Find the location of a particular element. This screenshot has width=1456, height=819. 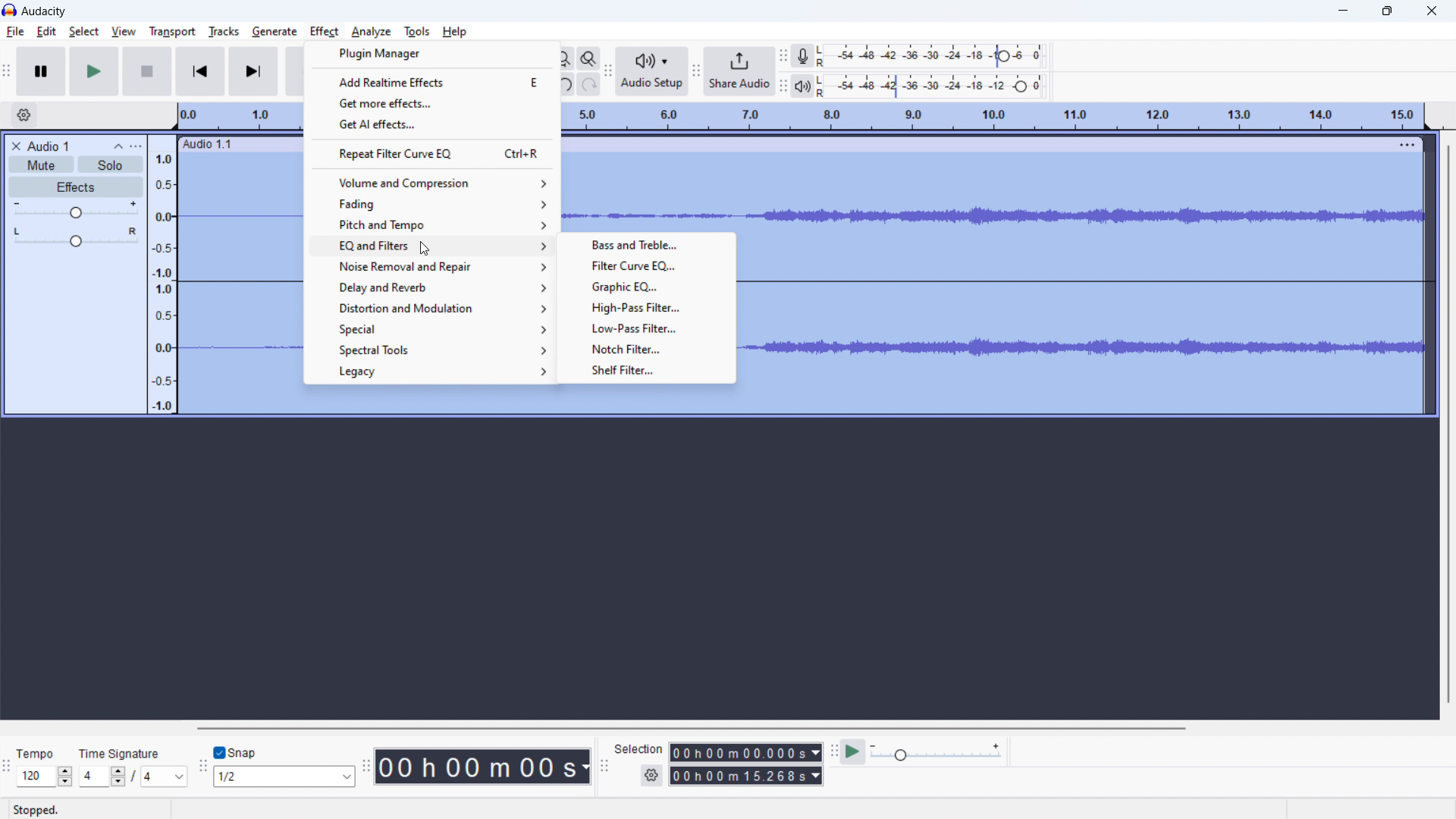

repeat filter curve EQ is located at coordinates (432, 153).